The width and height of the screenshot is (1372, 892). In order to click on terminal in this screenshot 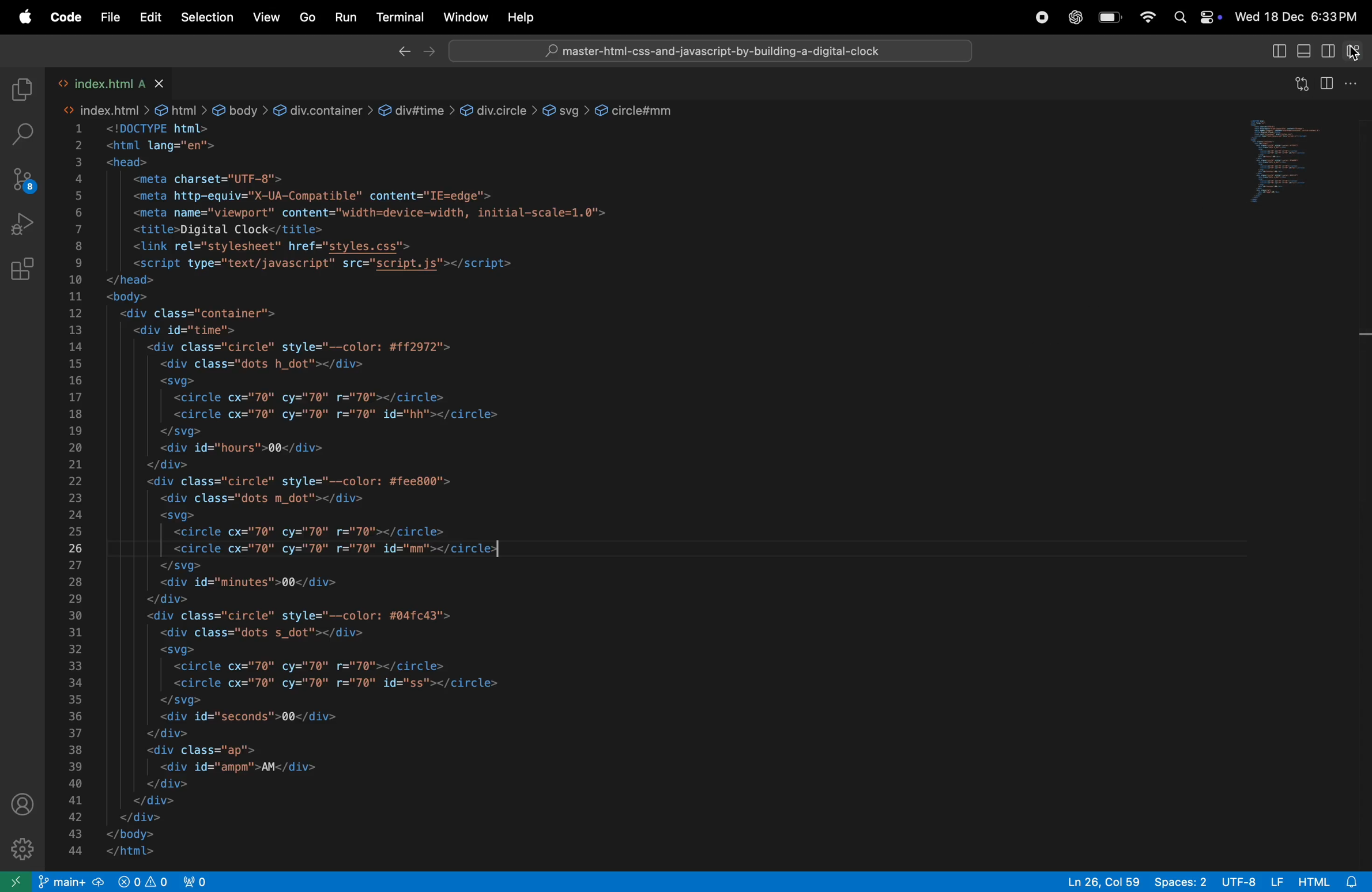, I will do `click(397, 18)`.